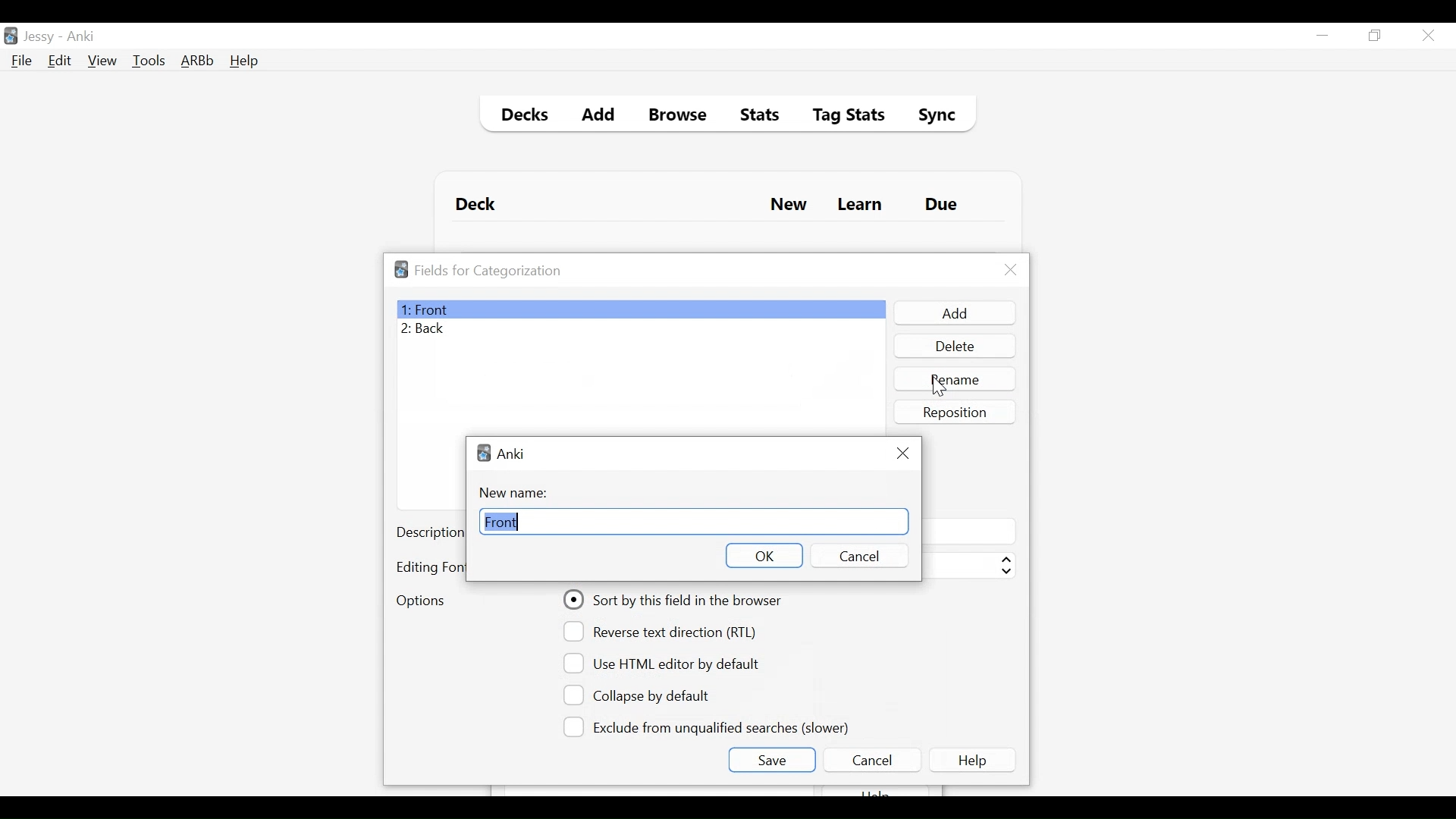 This screenshot has width=1456, height=819. Describe the element at coordinates (956, 412) in the screenshot. I see `Reposition` at that location.